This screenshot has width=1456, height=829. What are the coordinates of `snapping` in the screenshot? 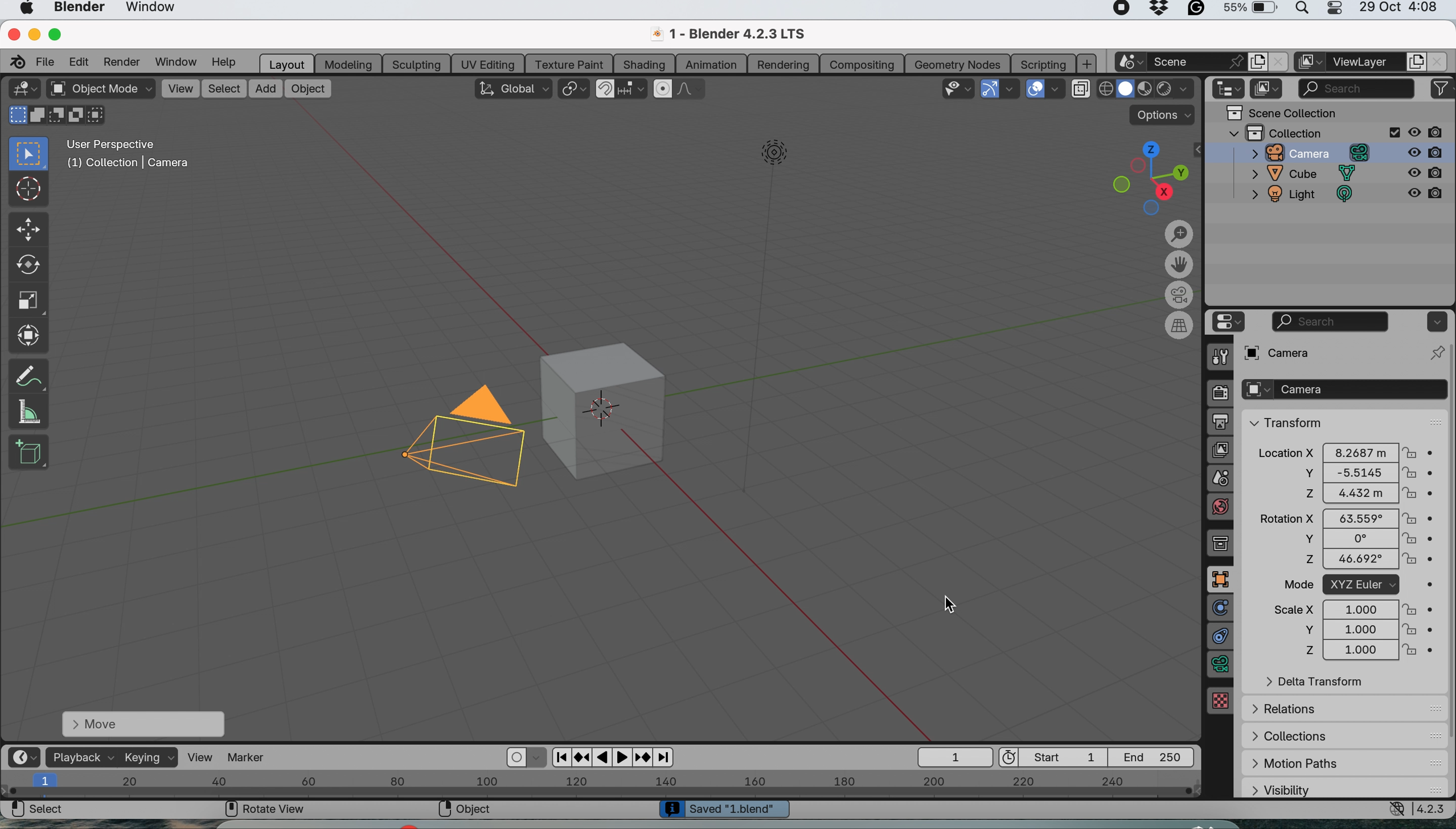 It's located at (633, 89).